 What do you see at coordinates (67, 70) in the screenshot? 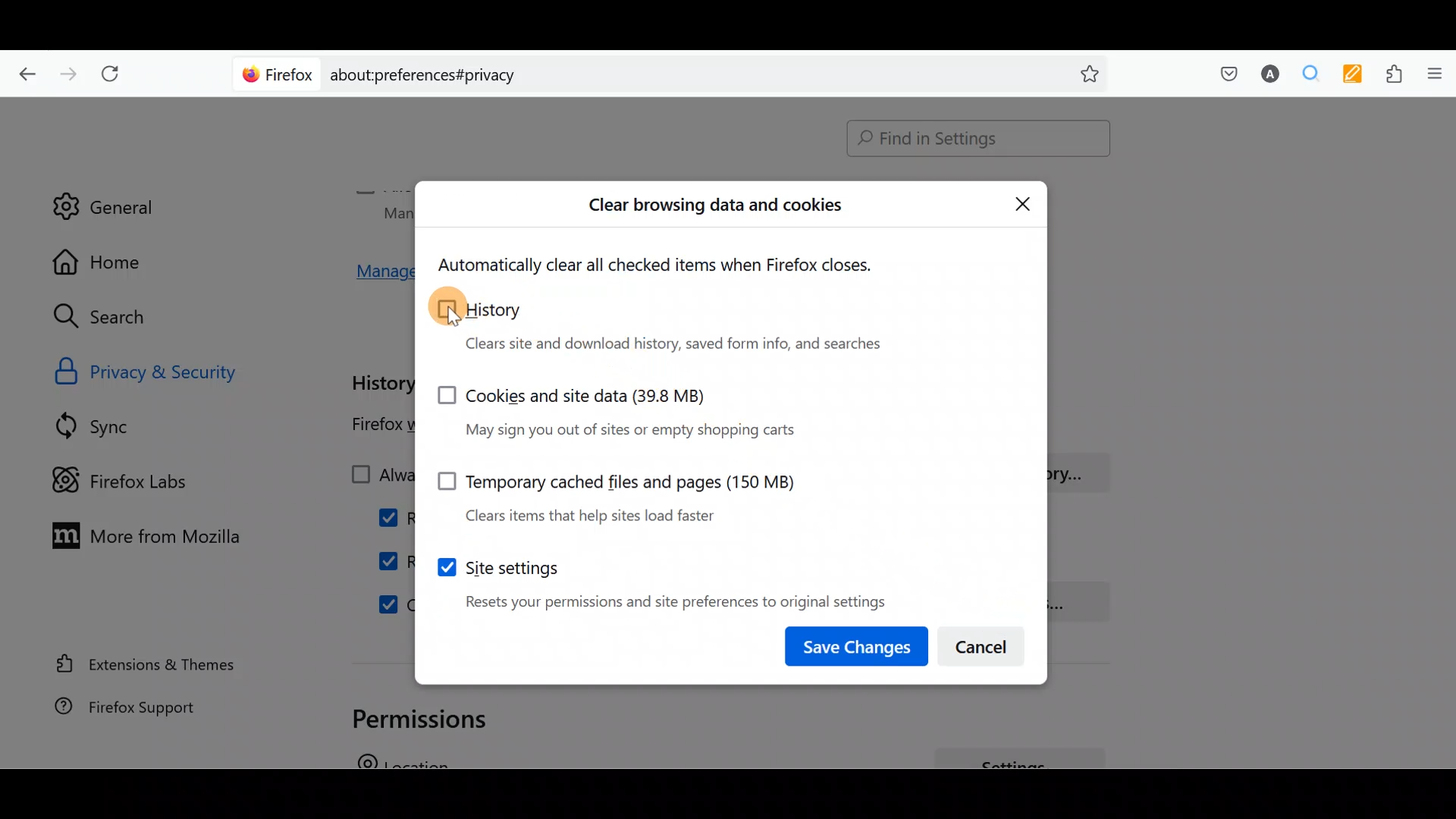
I see `Go forward one page` at bounding box center [67, 70].